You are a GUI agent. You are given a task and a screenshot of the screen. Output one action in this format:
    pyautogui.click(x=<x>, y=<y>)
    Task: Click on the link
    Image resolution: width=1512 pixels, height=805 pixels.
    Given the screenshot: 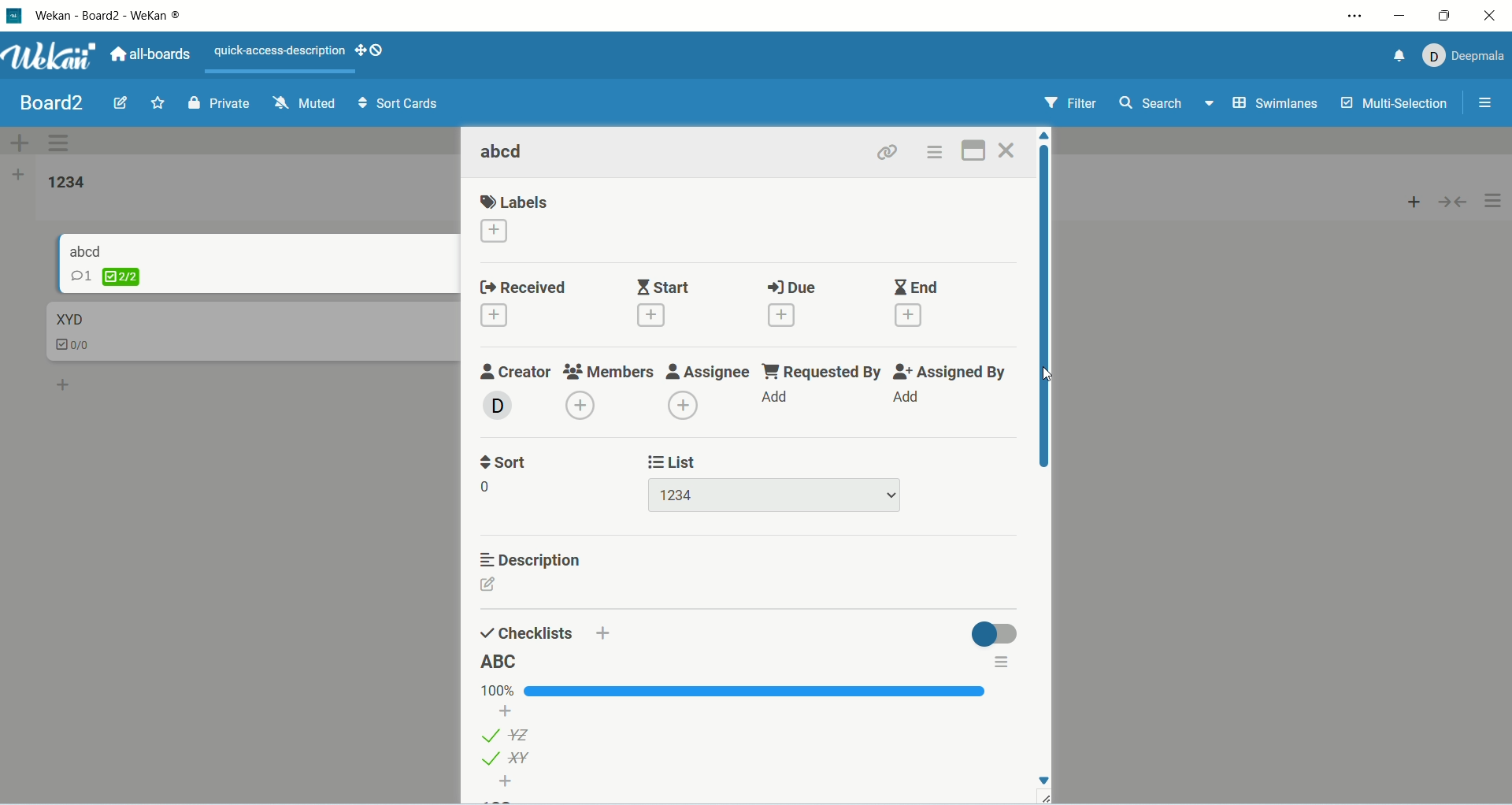 What is the action you would take?
    pyautogui.click(x=890, y=153)
    